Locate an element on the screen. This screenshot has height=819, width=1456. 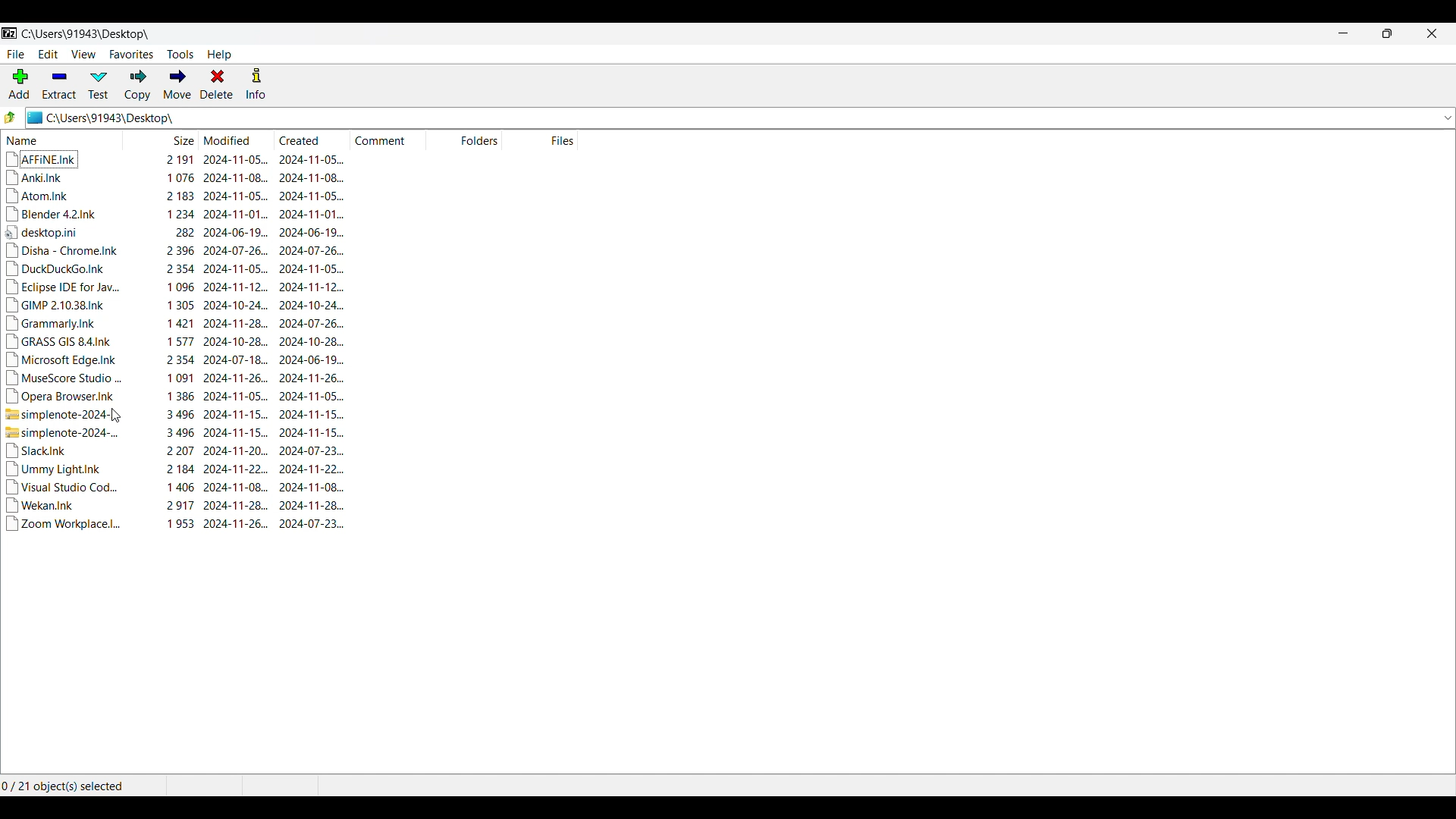
Resize is located at coordinates (1387, 33).